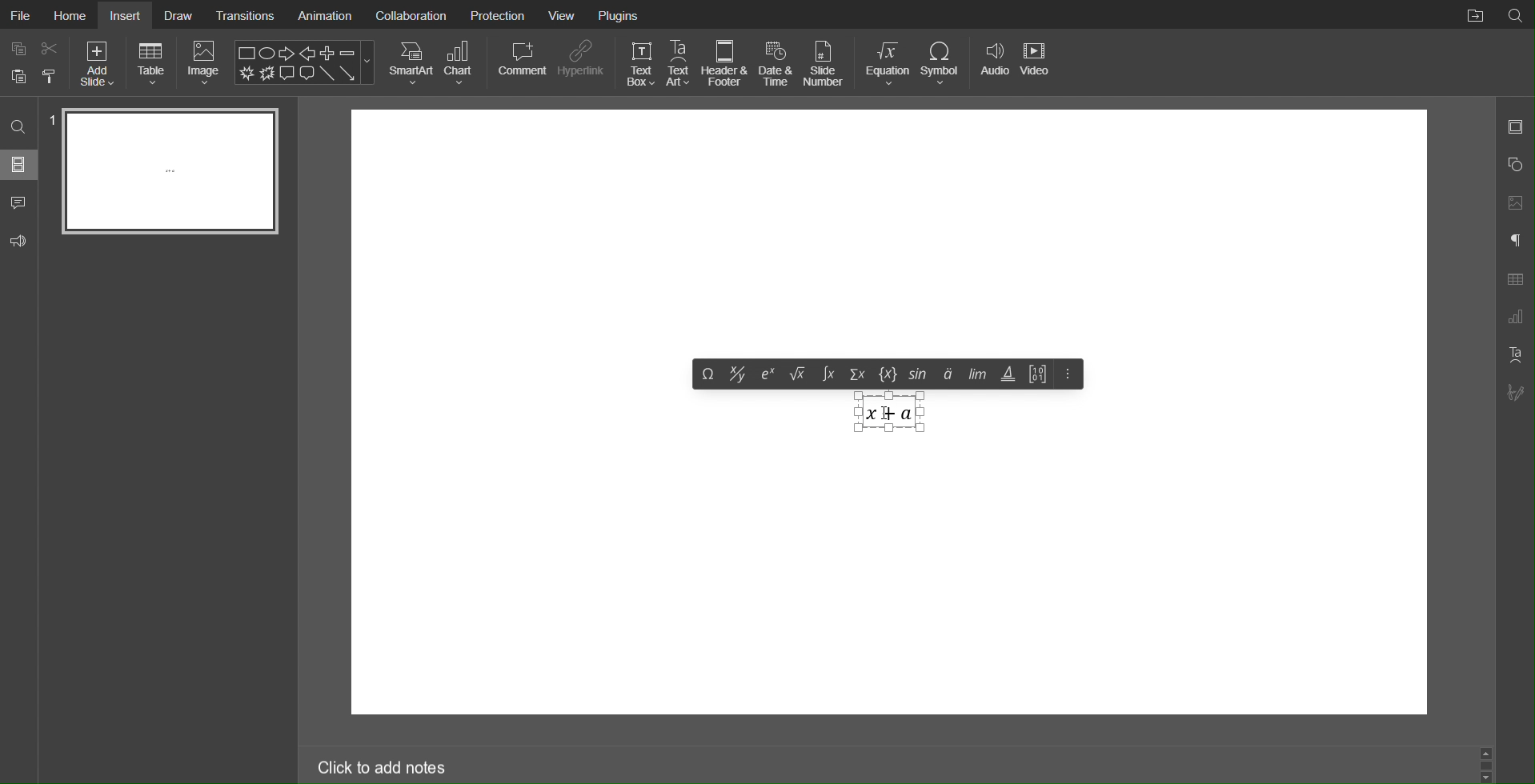 The width and height of the screenshot is (1535, 784). What do you see at coordinates (583, 62) in the screenshot?
I see `Hyperlink` at bounding box center [583, 62].